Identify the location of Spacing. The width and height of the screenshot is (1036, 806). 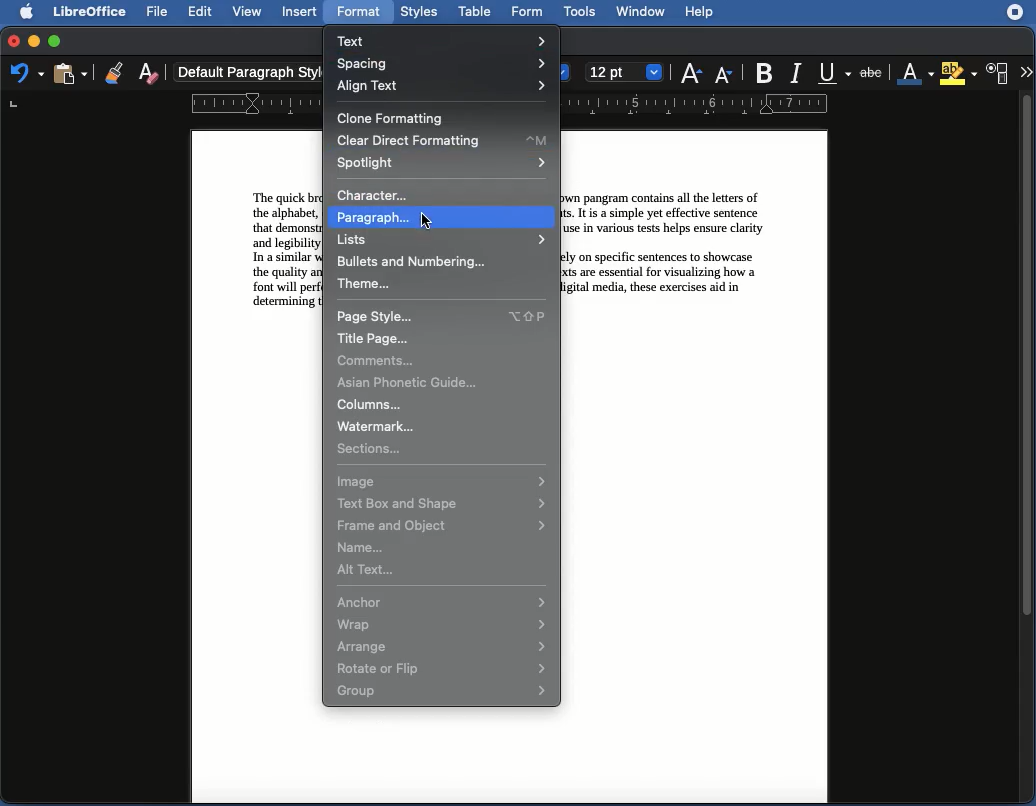
(443, 63).